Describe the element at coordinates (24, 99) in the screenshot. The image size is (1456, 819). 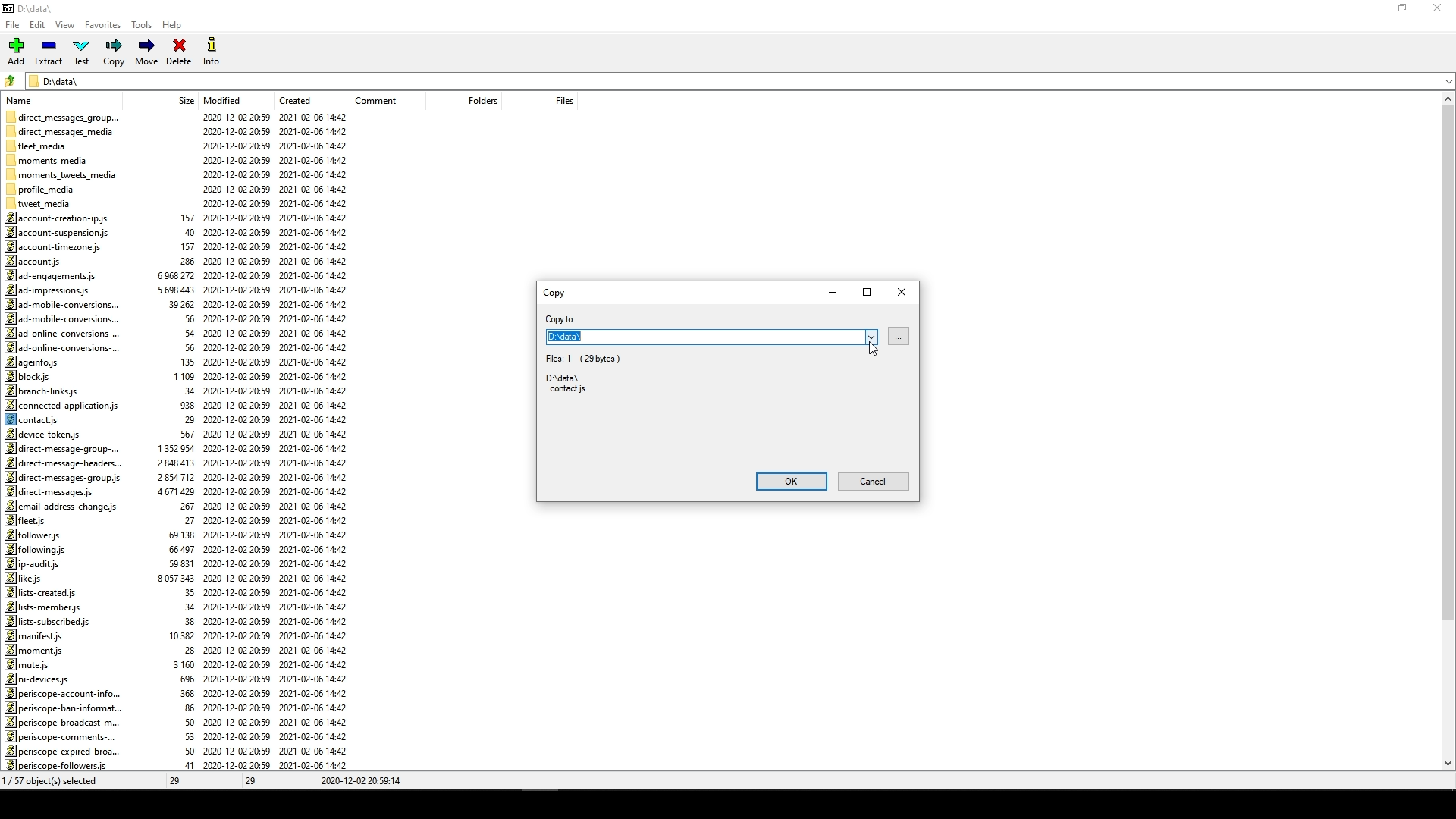
I see `name` at that location.